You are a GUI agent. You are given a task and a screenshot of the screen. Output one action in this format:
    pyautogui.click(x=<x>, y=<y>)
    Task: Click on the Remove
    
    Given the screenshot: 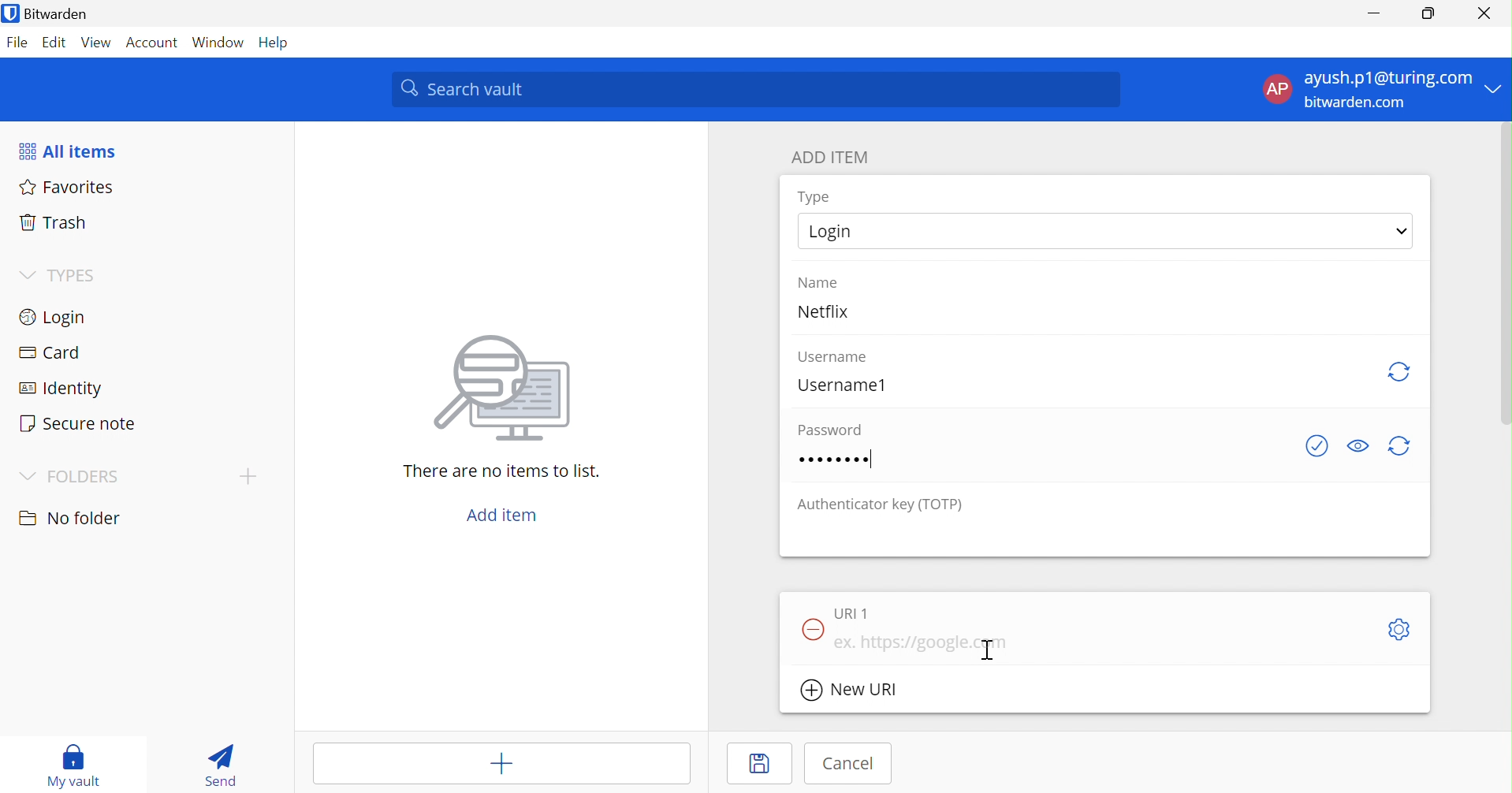 What is the action you would take?
    pyautogui.click(x=812, y=631)
    